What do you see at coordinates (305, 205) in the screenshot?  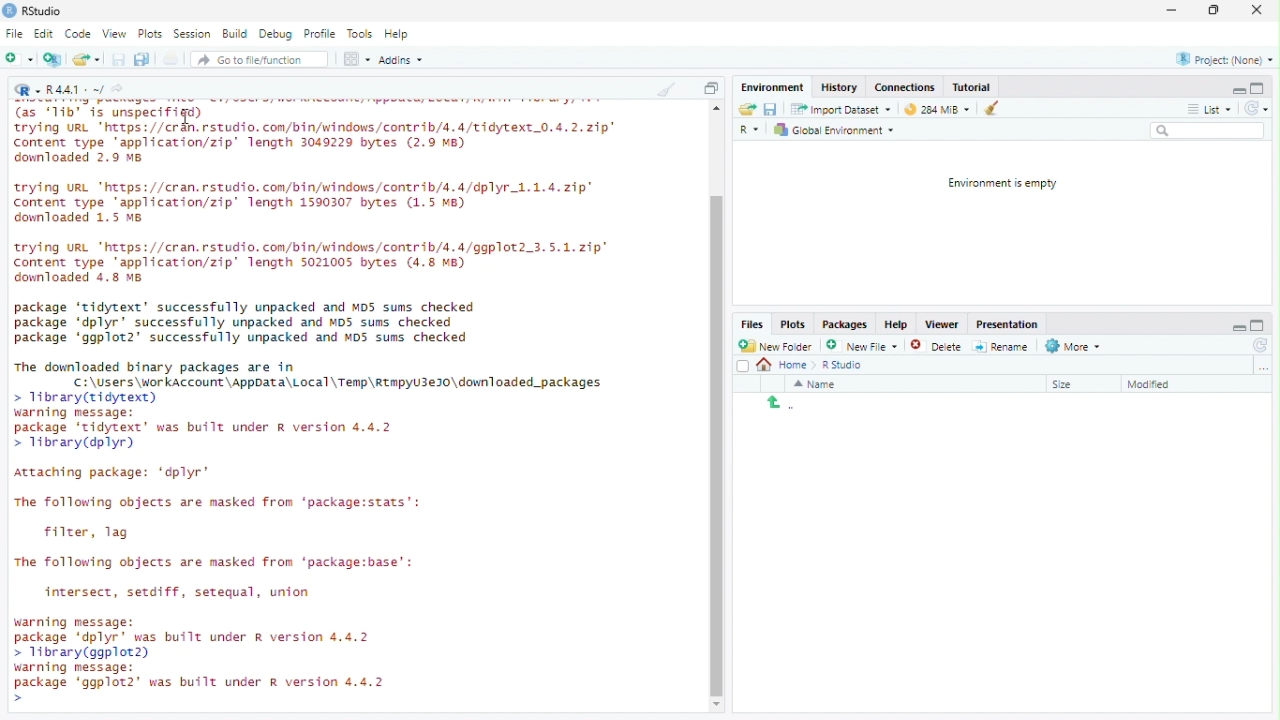 I see `trying URL "https://cran.rstudio.com/bin/windows/contrib/4.4/dplyr_1.1.4.2ip"
content type "application/zip’ length 1590307 bytes (1.5 8)
downloaded 1.5 M8` at bounding box center [305, 205].